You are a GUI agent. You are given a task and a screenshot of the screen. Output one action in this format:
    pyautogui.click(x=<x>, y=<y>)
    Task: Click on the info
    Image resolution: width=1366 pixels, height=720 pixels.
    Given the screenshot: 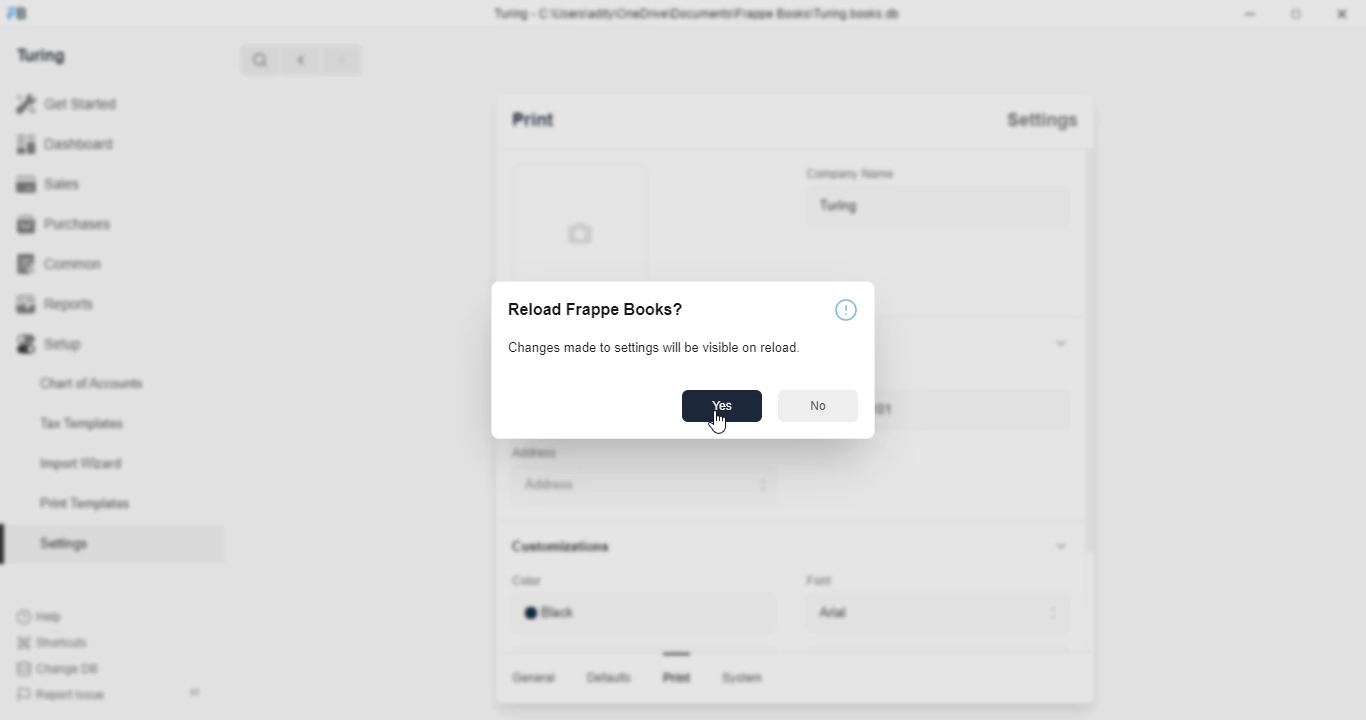 What is the action you would take?
    pyautogui.click(x=844, y=311)
    